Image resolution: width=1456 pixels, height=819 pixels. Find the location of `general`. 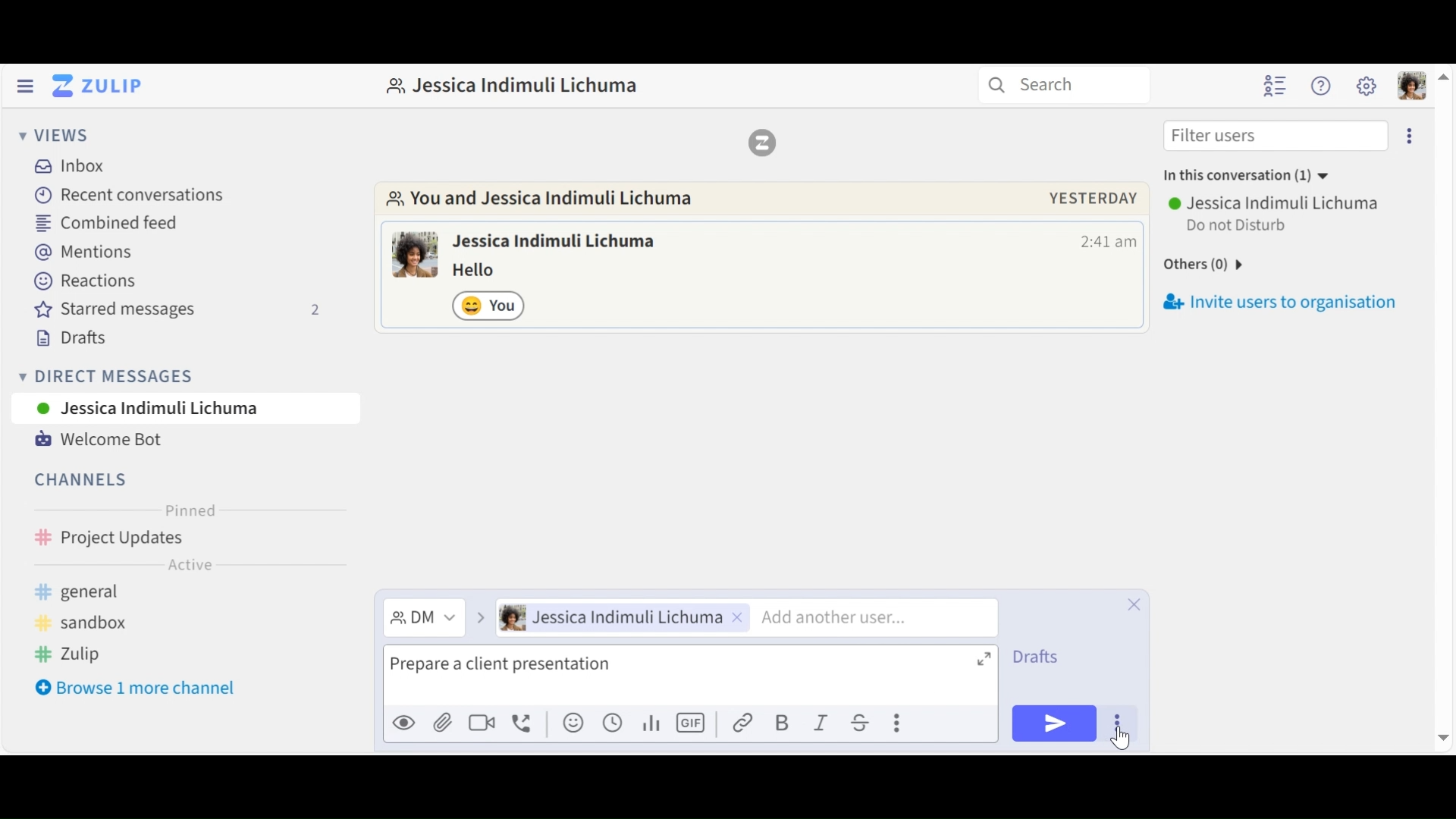

general is located at coordinates (138, 593).